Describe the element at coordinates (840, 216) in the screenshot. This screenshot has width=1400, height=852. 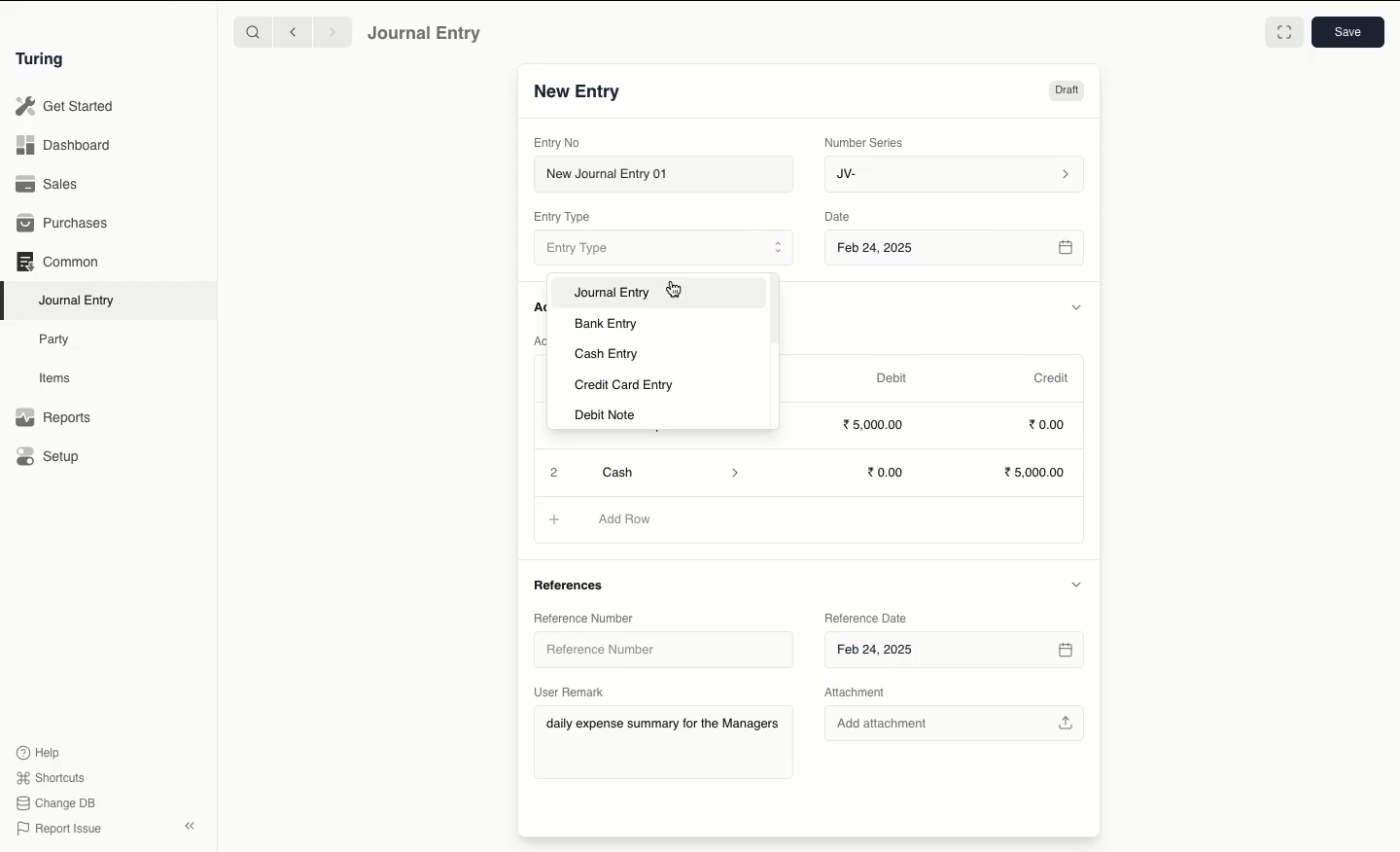
I see `Date` at that location.